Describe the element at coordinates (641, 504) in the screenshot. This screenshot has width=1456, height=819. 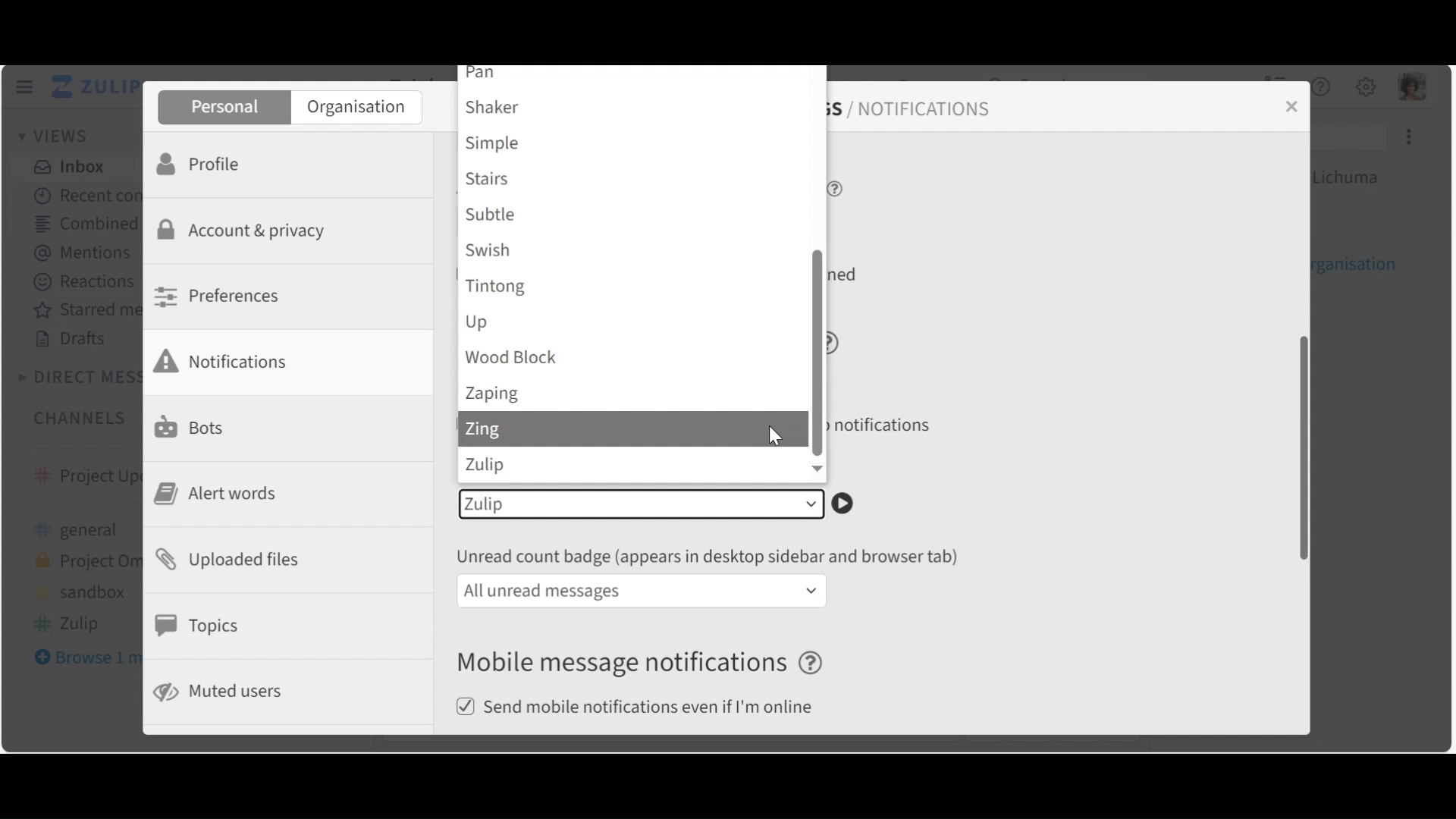
I see `Notification sound dropdown menu` at that location.